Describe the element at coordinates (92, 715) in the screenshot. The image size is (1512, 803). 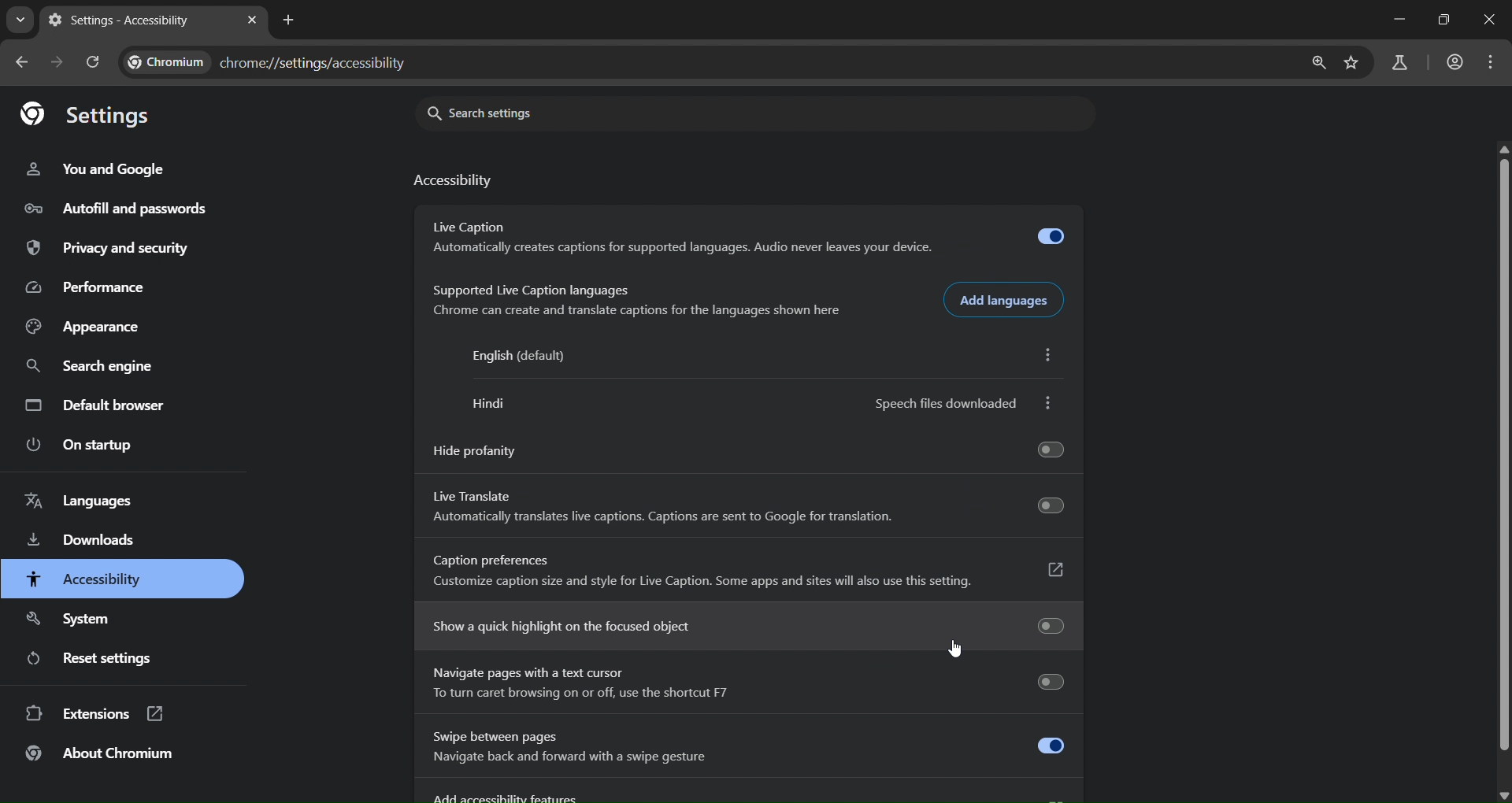
I see `extensions` at that location.